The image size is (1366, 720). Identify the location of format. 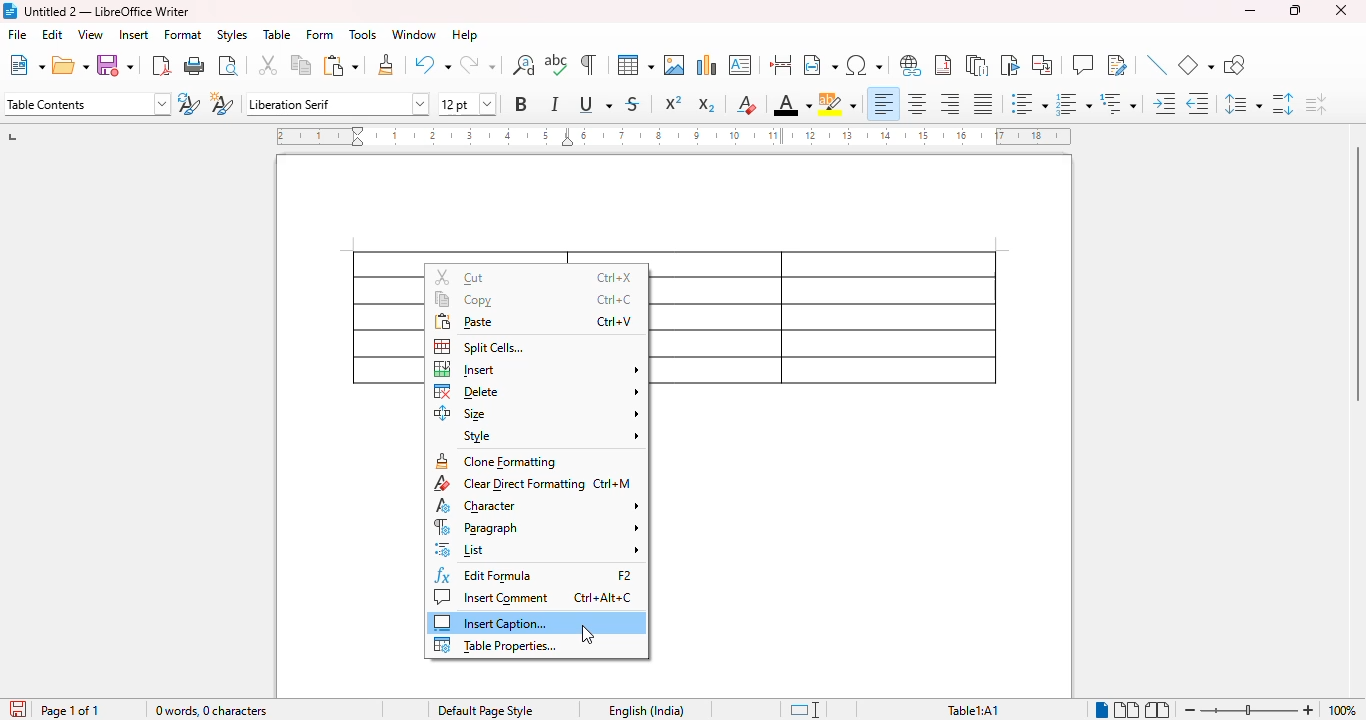
(183, 35).